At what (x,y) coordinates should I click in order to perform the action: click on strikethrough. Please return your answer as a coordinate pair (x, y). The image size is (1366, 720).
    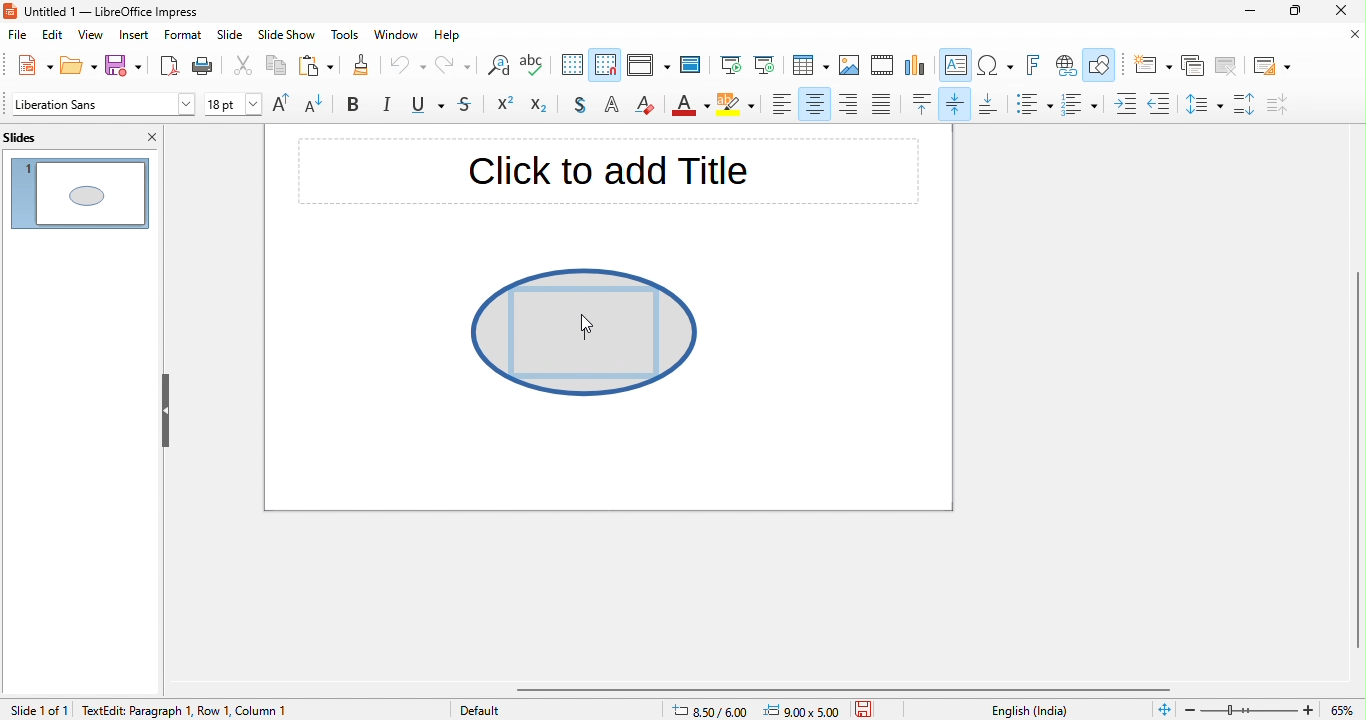
    Looking at the image, I should click on (469, 106).